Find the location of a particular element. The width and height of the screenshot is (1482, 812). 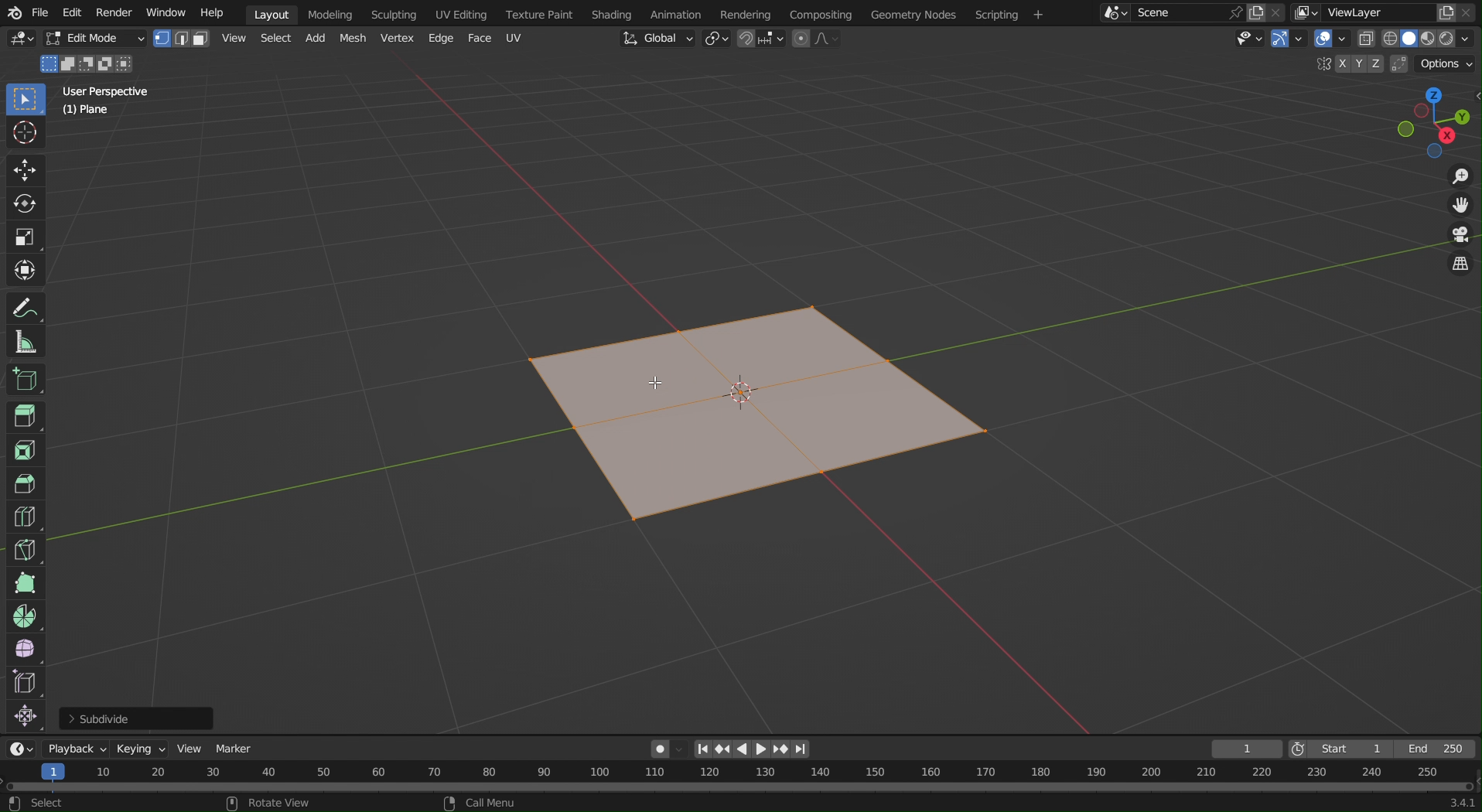

New Cube is located at coordinates (24, 378).